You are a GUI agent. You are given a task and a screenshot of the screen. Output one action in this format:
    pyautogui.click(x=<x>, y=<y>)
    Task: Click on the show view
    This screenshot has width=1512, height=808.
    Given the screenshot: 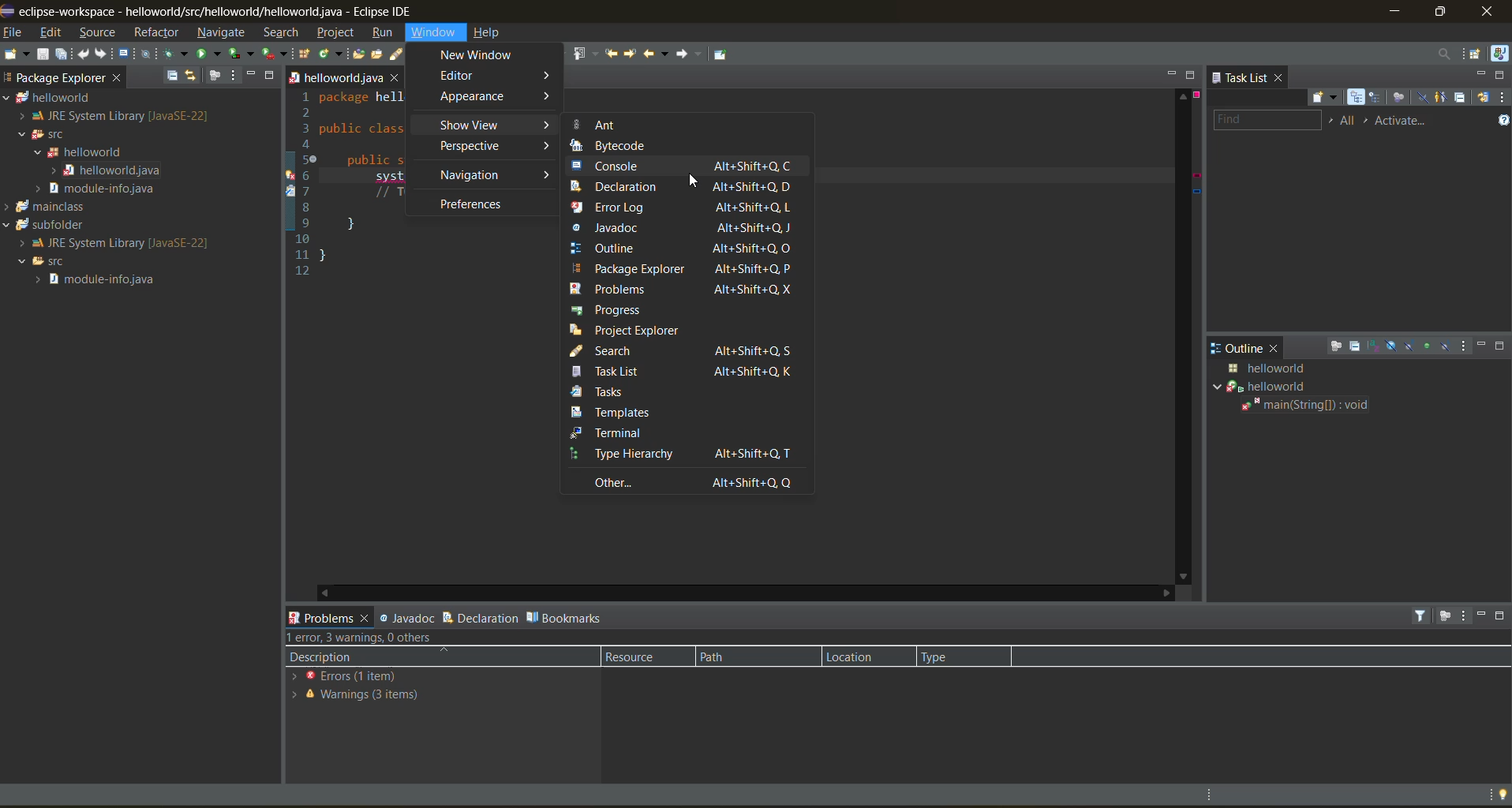 What is the action you would take?
    pyautogui.click(x=492, y=125)
    